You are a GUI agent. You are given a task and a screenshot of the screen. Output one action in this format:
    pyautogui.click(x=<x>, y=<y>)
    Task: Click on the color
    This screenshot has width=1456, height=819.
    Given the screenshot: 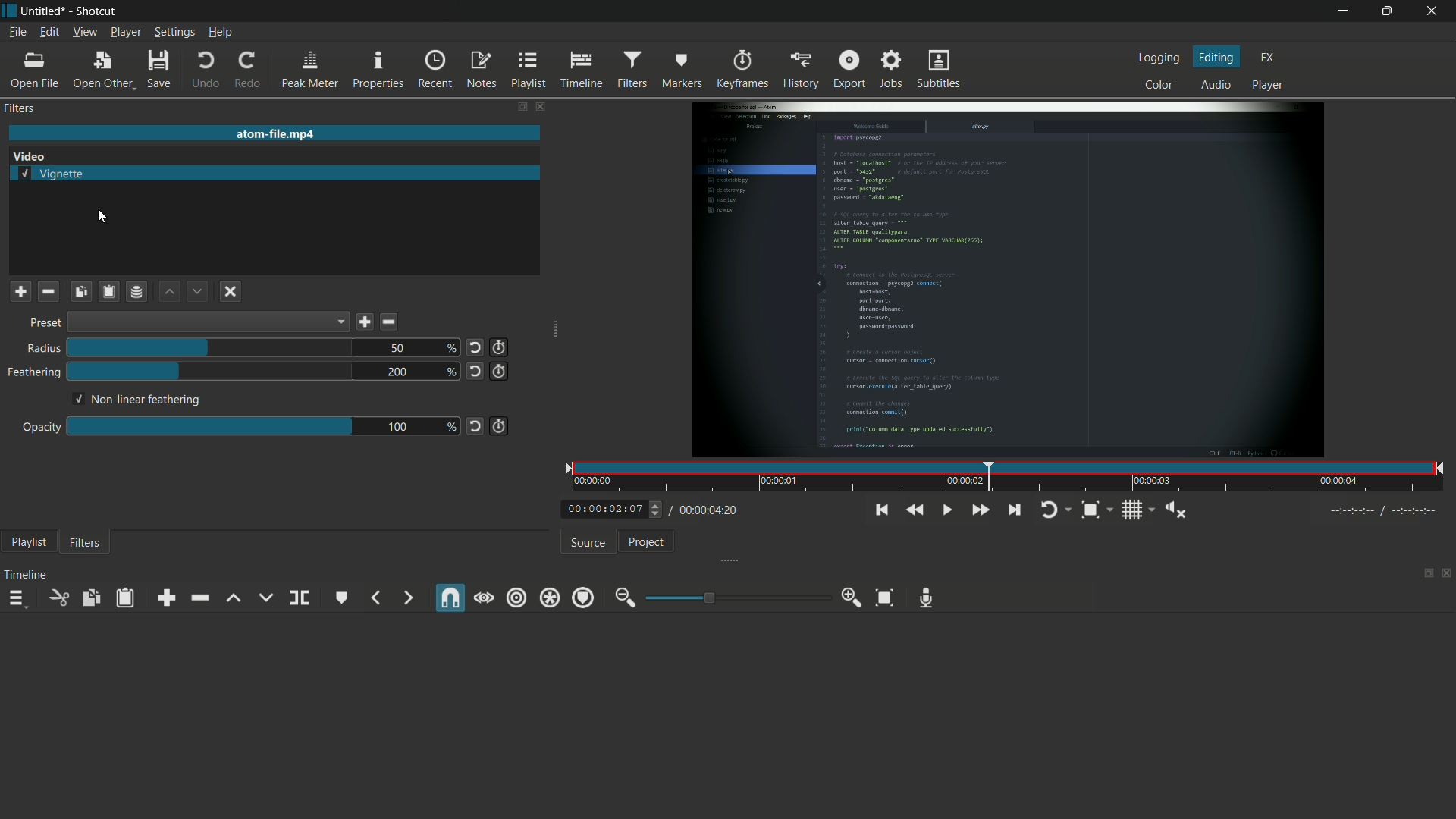 What is the action you would take?
    pyautogui.click(x=1159, y=85)
    